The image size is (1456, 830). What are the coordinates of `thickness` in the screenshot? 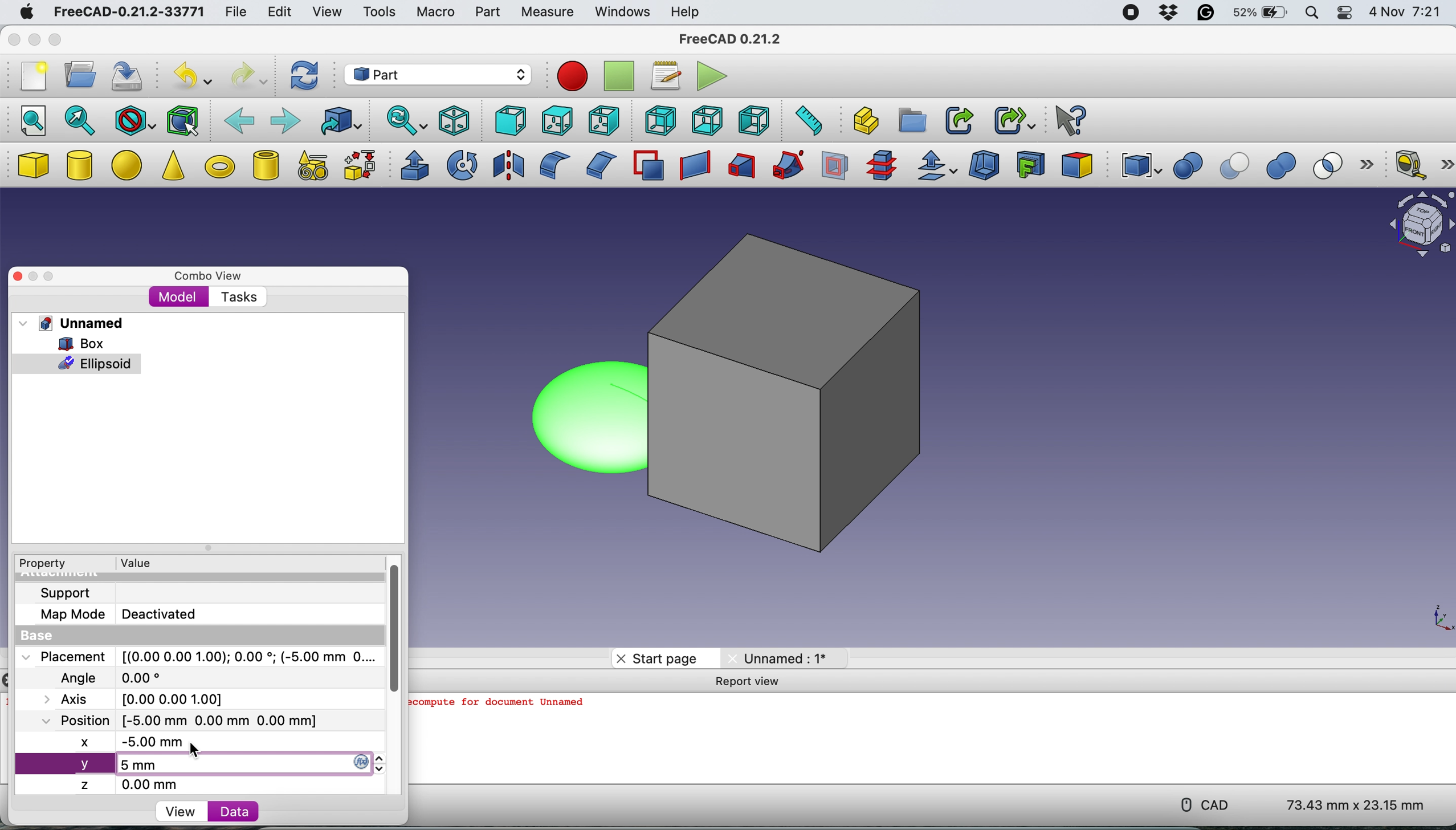 It's located at (985, 166).